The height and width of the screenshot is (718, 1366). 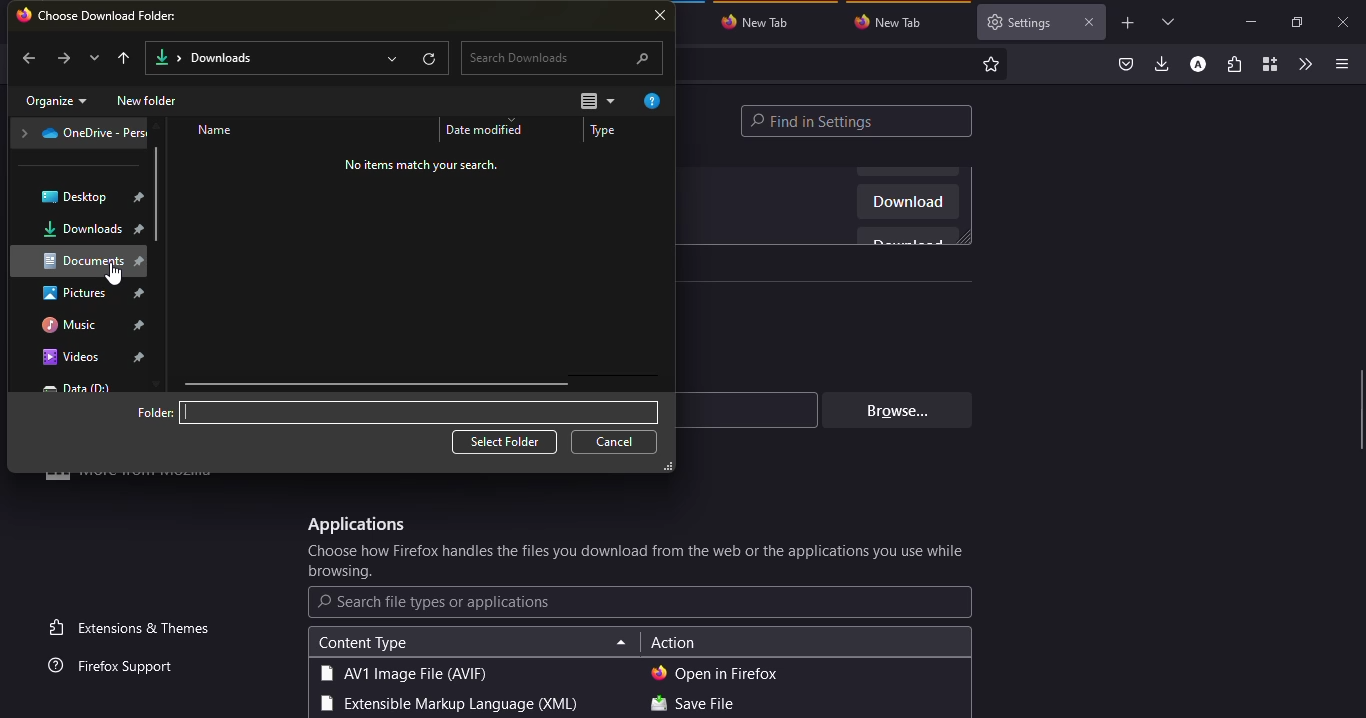 I want to click on tab, so click(x=761, y=21).